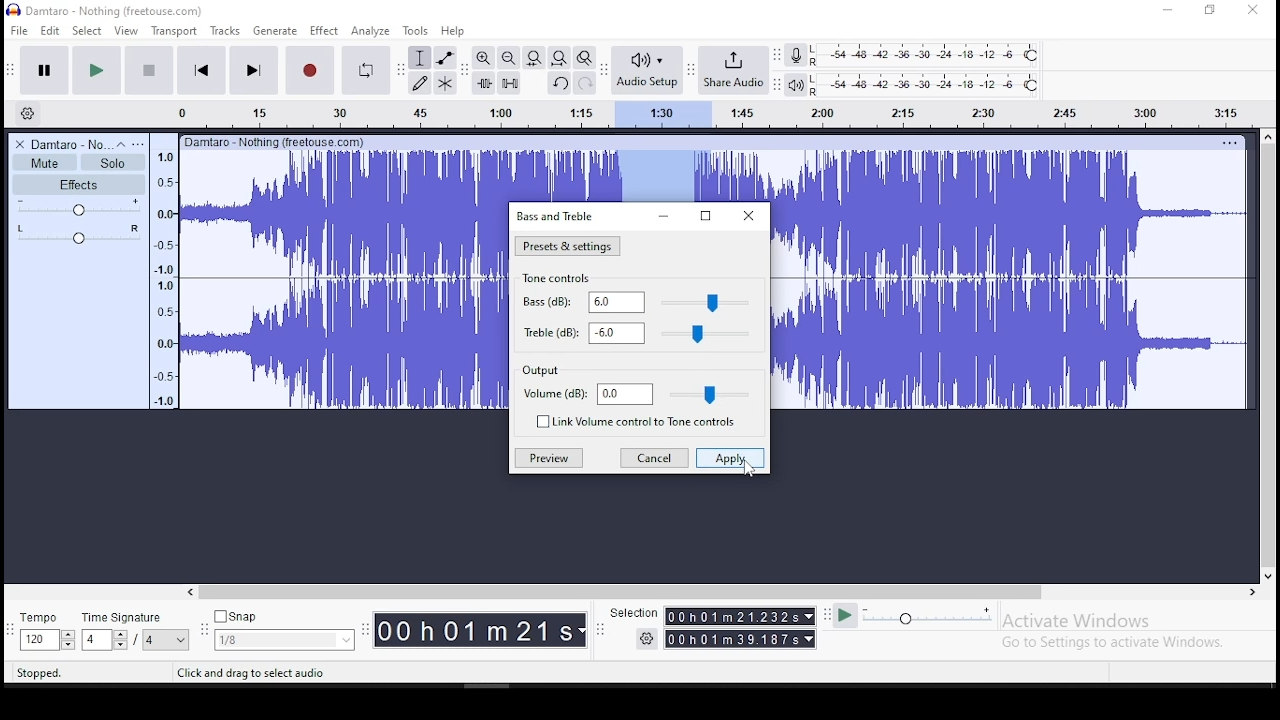 This screenshot has width=1280, height=720. Describe the element at coordinates (845, 616) in the screenshot. I see `Play` at that location.